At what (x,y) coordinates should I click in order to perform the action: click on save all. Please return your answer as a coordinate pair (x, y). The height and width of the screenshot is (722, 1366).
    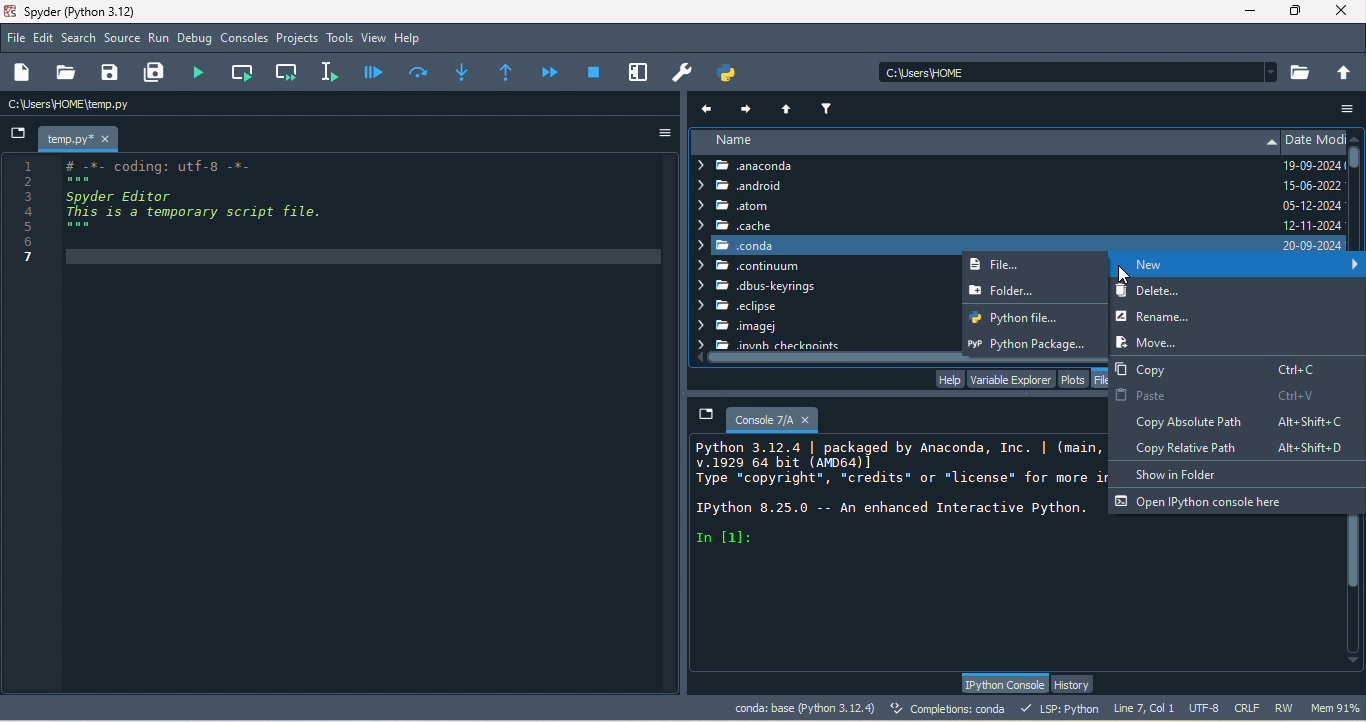
    Looking at the image, I should click on (158, 73).